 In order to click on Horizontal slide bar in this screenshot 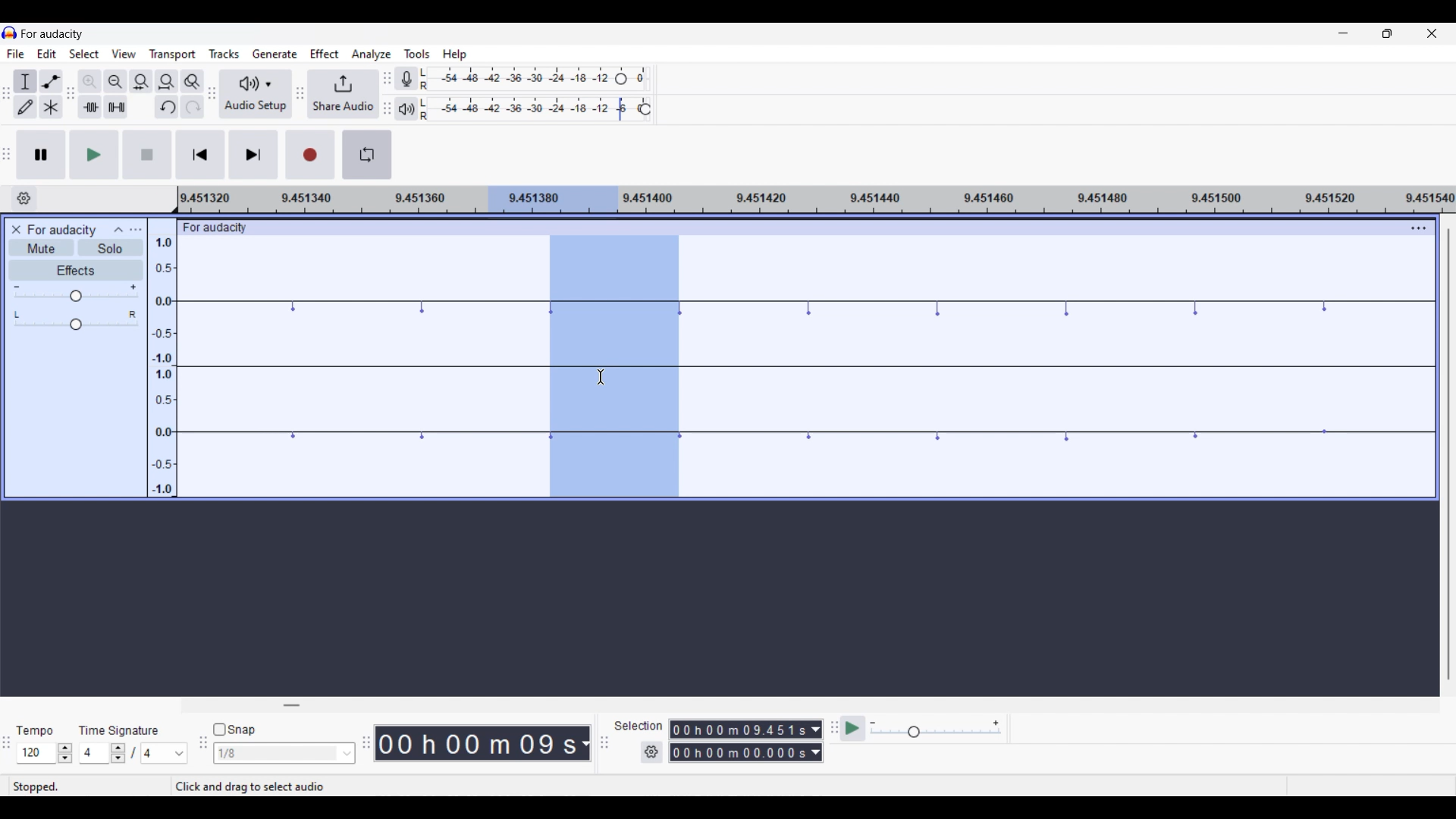, I will do `click(291, 705)`.